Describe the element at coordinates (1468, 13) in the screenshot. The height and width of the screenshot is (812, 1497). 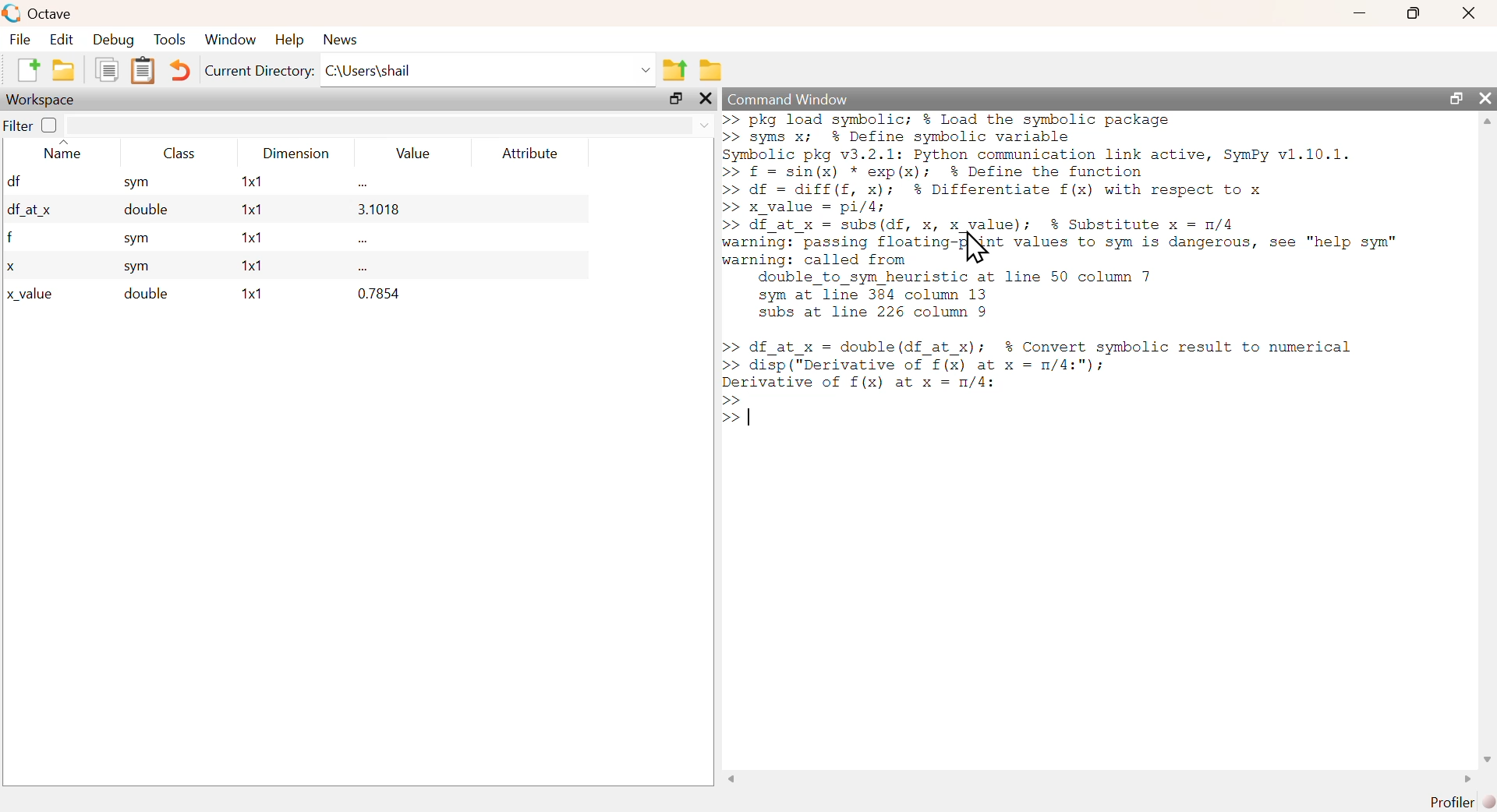
I see `Close` at that location.